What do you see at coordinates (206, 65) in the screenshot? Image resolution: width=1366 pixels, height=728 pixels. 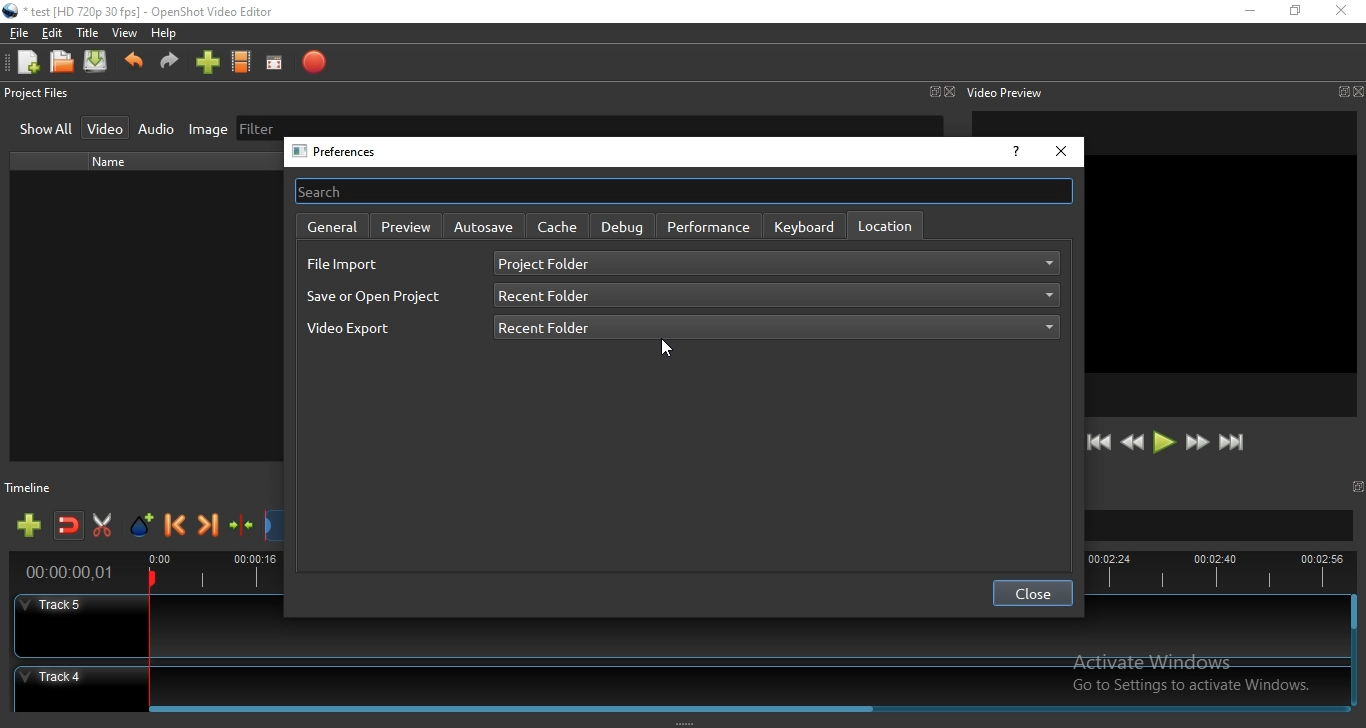 I see `import files` at bounding box center [206, 65].